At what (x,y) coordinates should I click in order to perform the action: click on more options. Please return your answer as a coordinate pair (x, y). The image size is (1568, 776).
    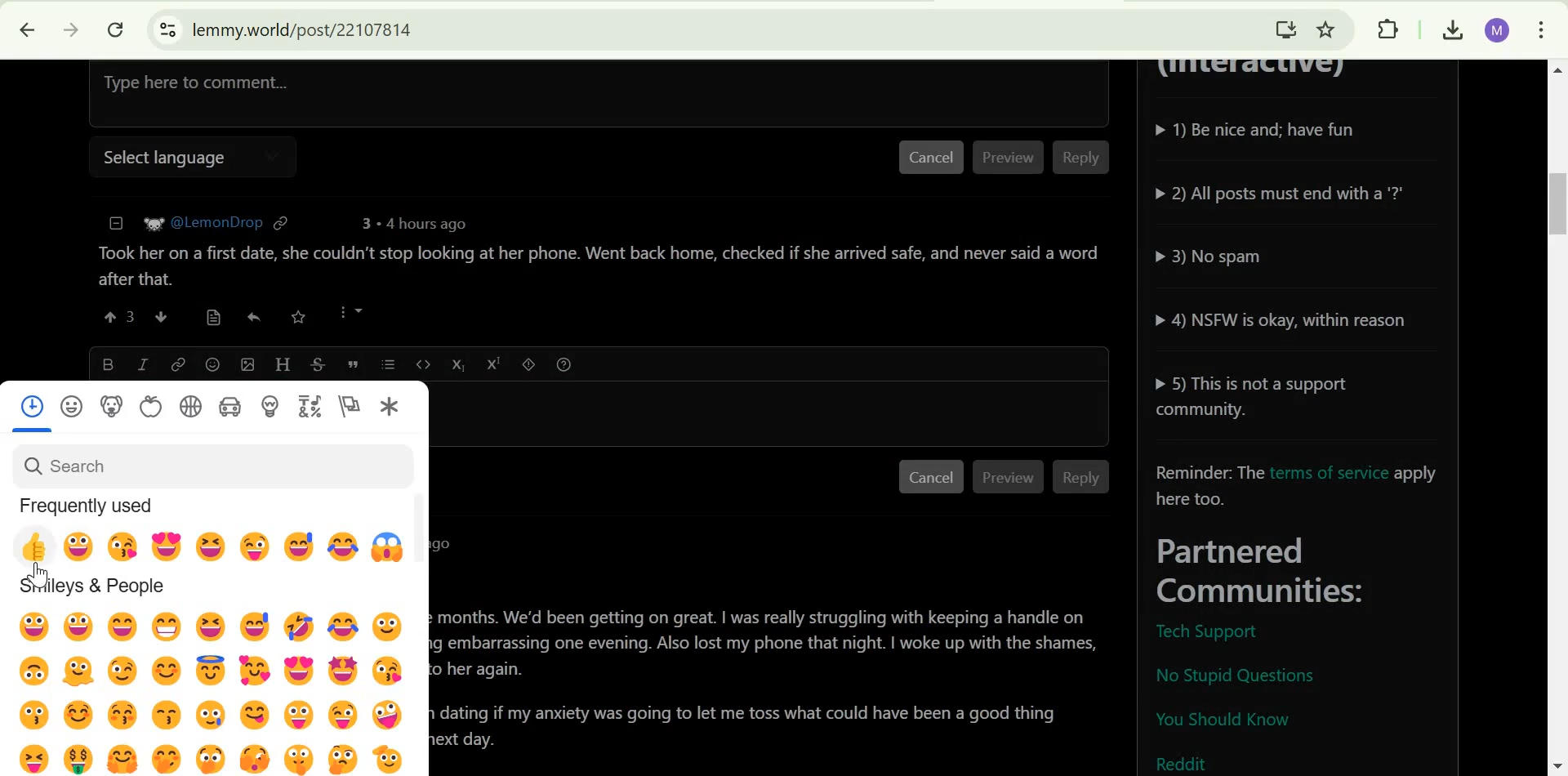
    Looking at the image, I should click on (351, 312).